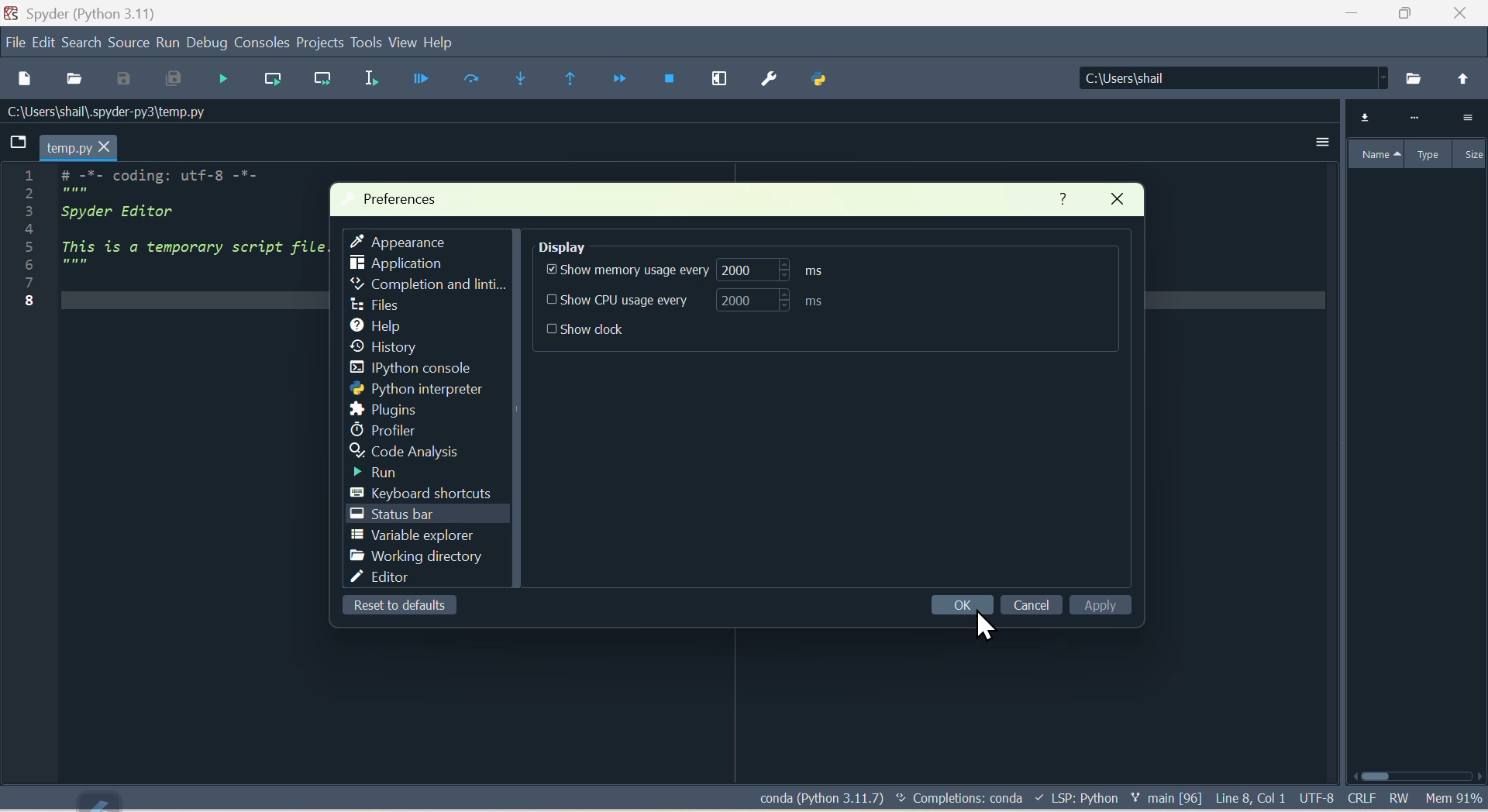  I want to click on Text - conda (Python 3.11.7) Completions: conda LSP: Python main [96] Line 8, Col 1 UTF-8 CRLF RW Mem 91%, so click(1119, 800).